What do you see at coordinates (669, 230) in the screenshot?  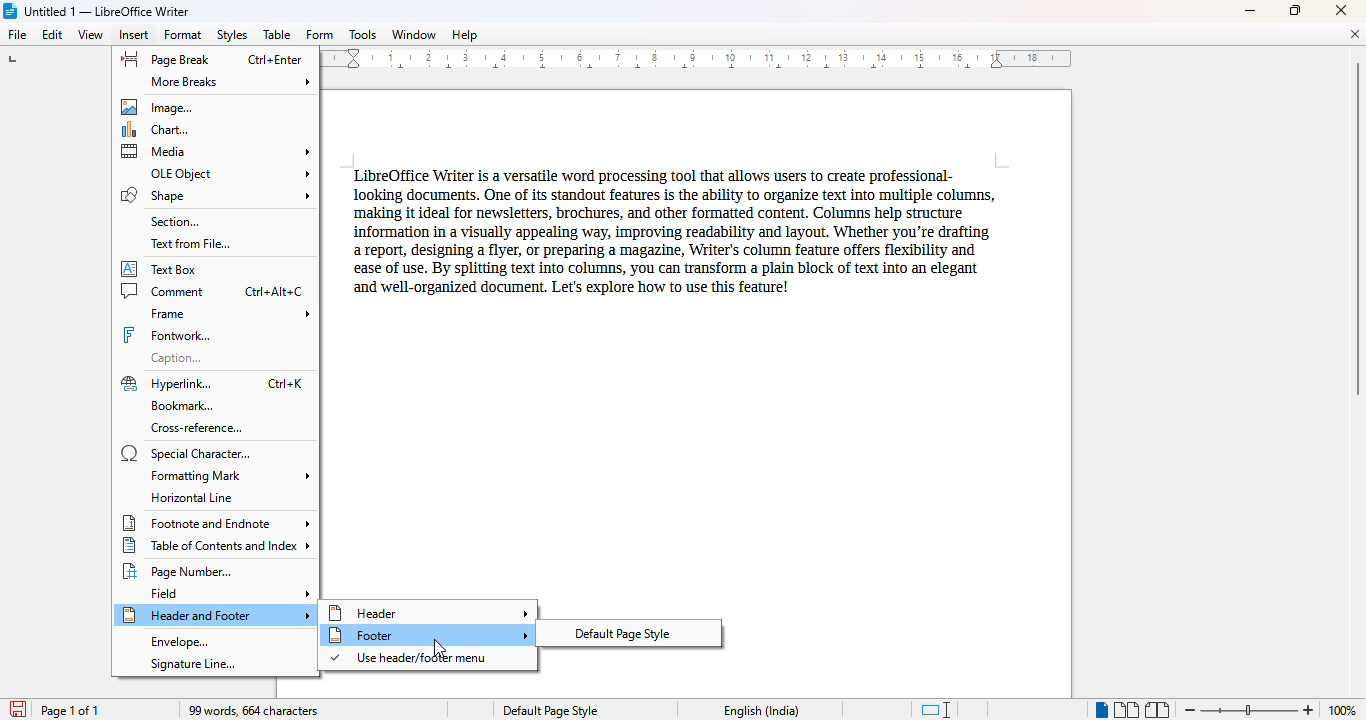 I see `LibreOffice Writer is a versatile word processing tool that allows users to create professional looking documents. One of its standout features is the ability to organize text into multiple columns,‘ making it ideal for newsletters, brochures, and other formatted content. Columns help structure information in a visually appealing way, improving readability and layout. Whether you're drafting a report, designing a flyer, or preparing a magazine, Writer's column feature offers flexibility and ease of use. By splitting text into columns, you can transform a plain block of text into an elegant and well-organized document. Let's explore how to use this feature!` at bounding box center [669, 230].